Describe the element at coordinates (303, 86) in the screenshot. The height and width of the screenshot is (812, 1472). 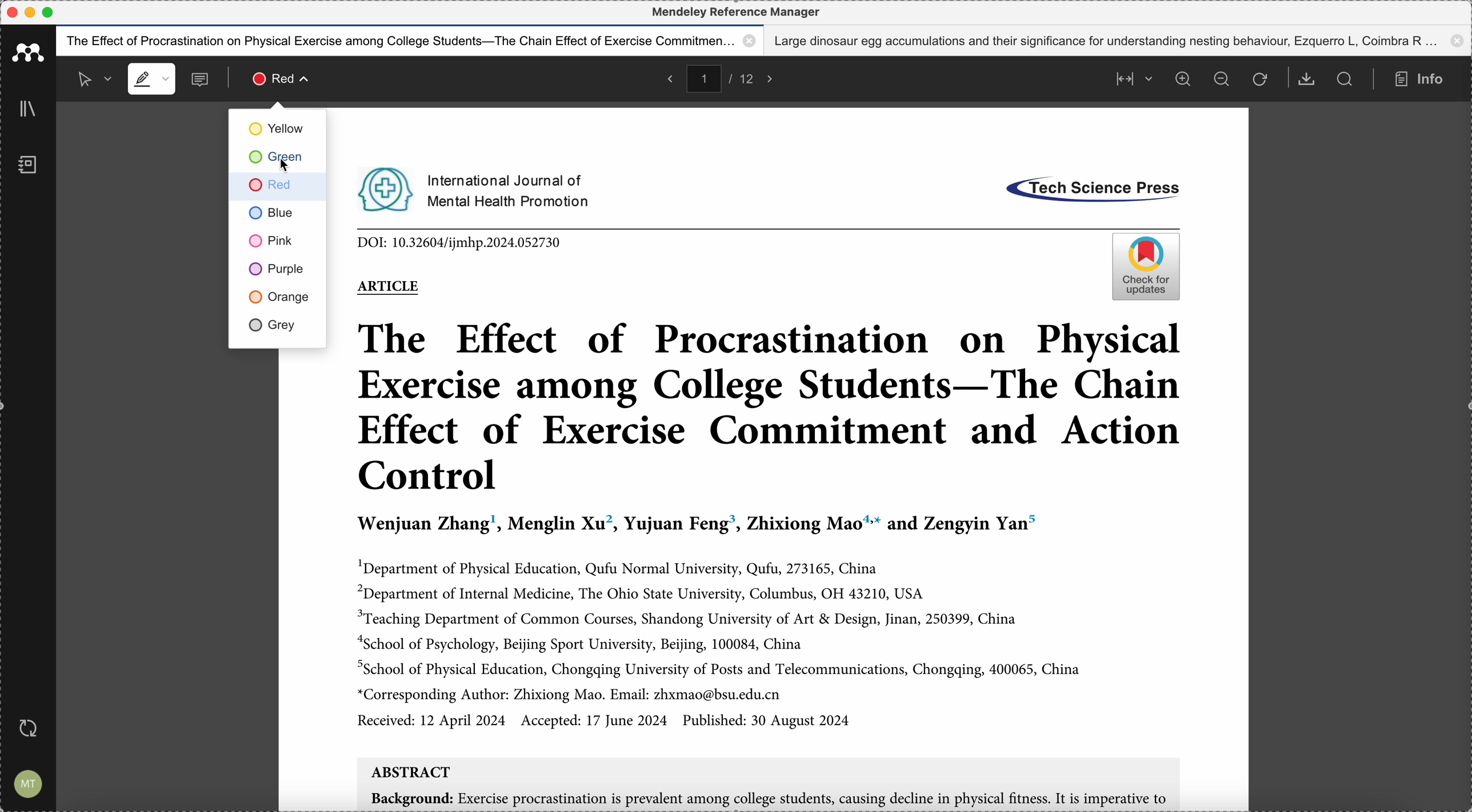
I see `cursor` at that location.